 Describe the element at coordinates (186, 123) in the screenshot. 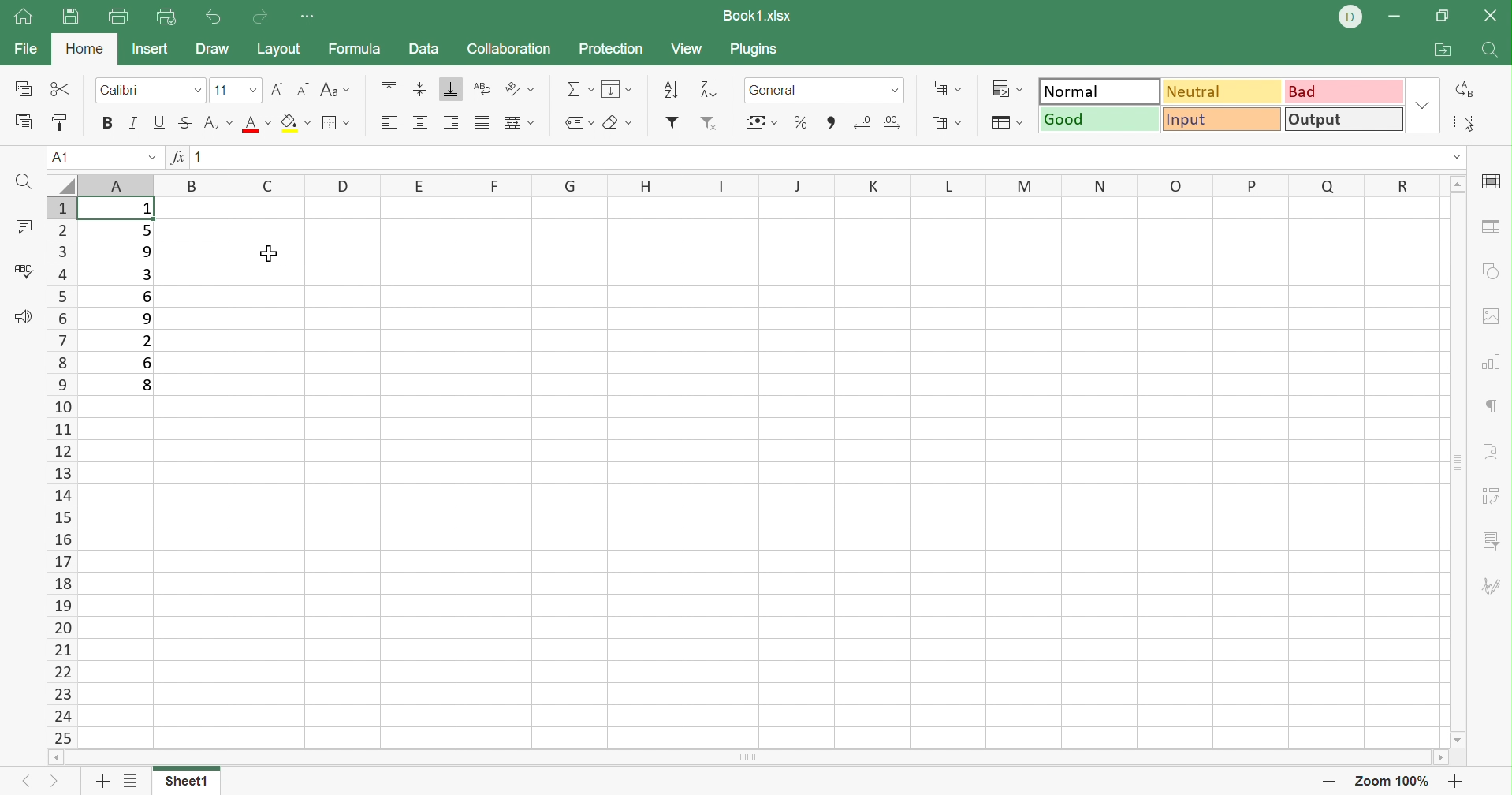

I see `Strikethrough` at that location.